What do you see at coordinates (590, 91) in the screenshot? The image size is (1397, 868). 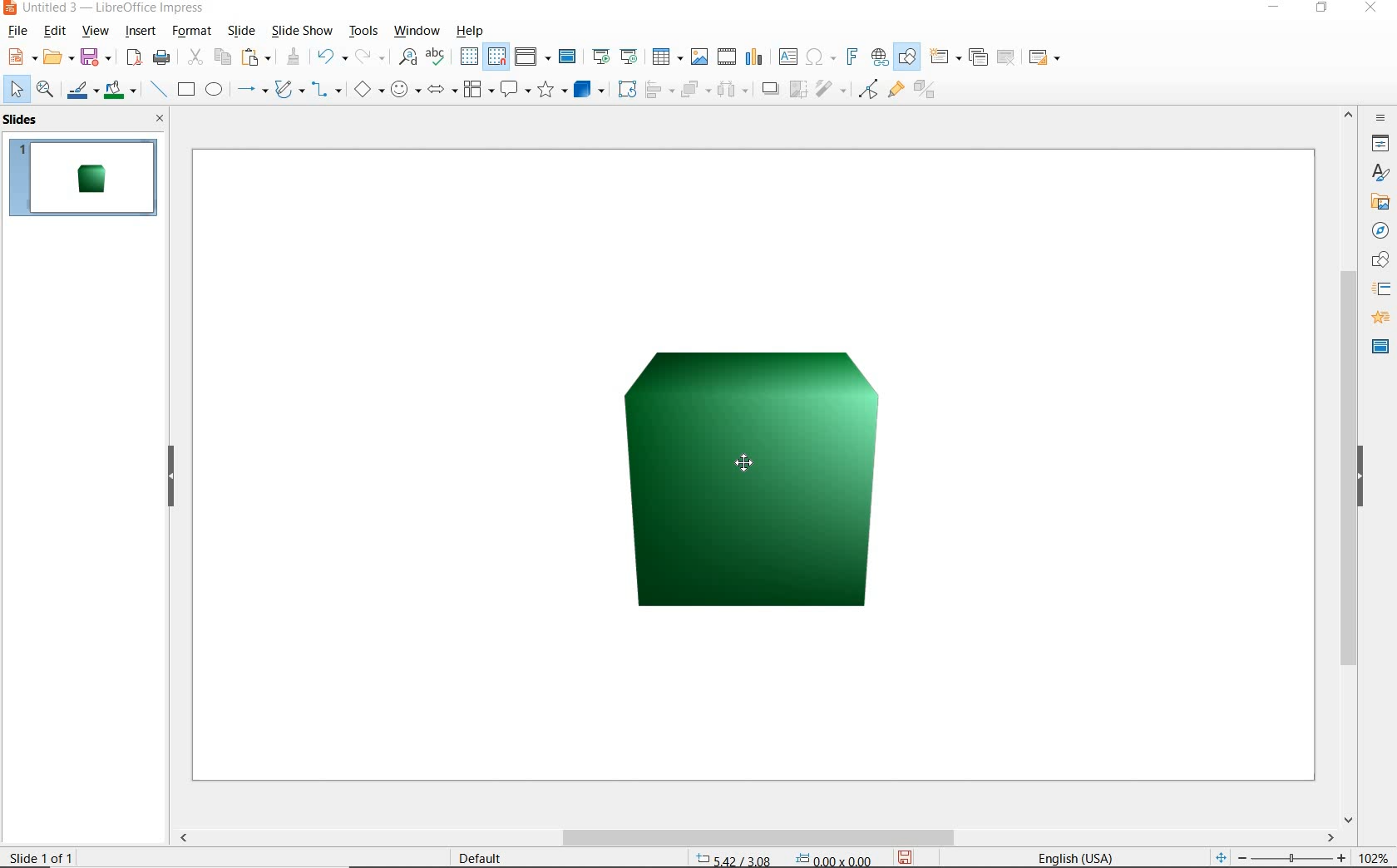 I see `3D Objects` at bounding box center [590, 91].